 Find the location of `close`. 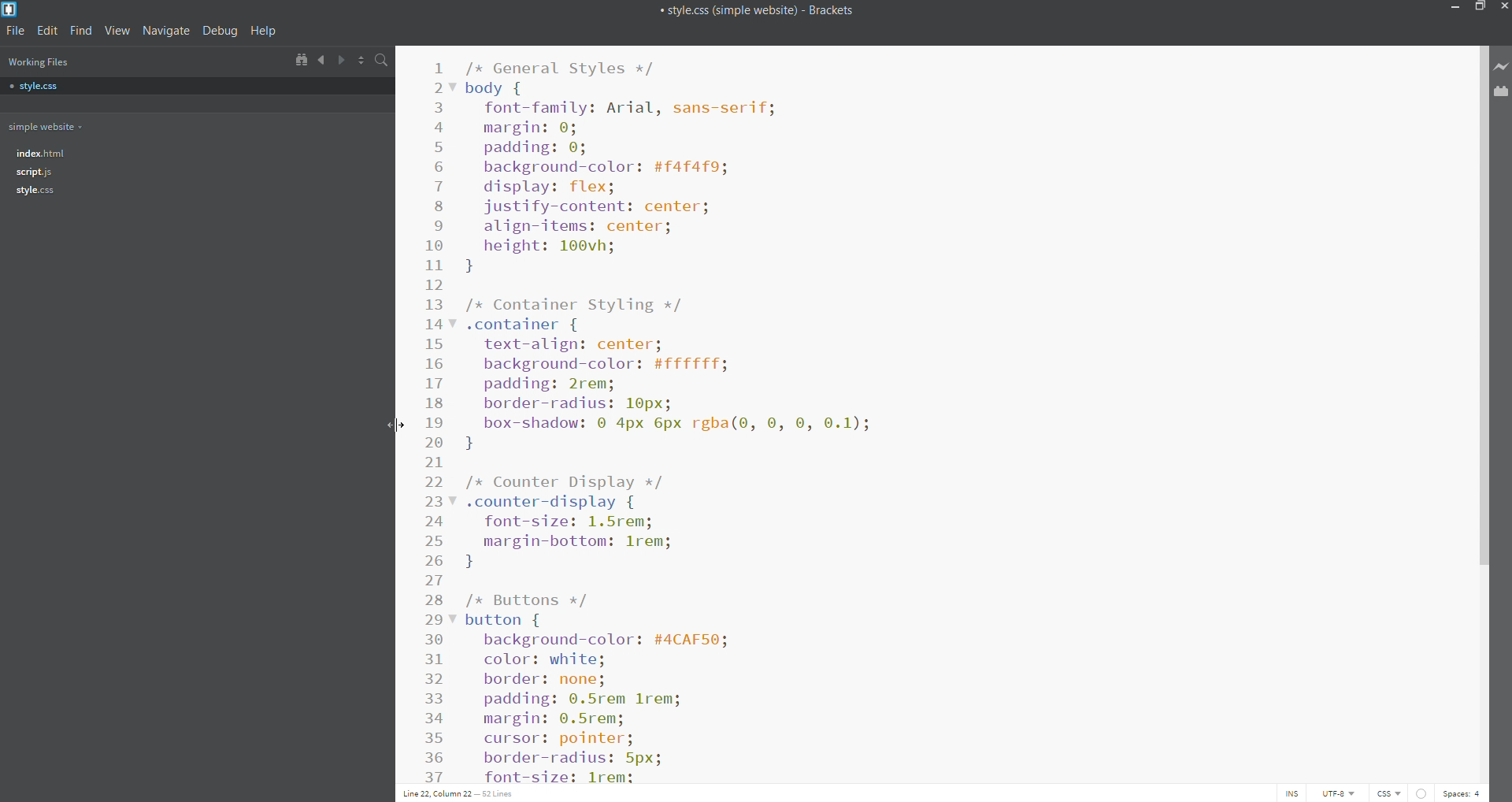

close is located at coordinates (1503, 6).